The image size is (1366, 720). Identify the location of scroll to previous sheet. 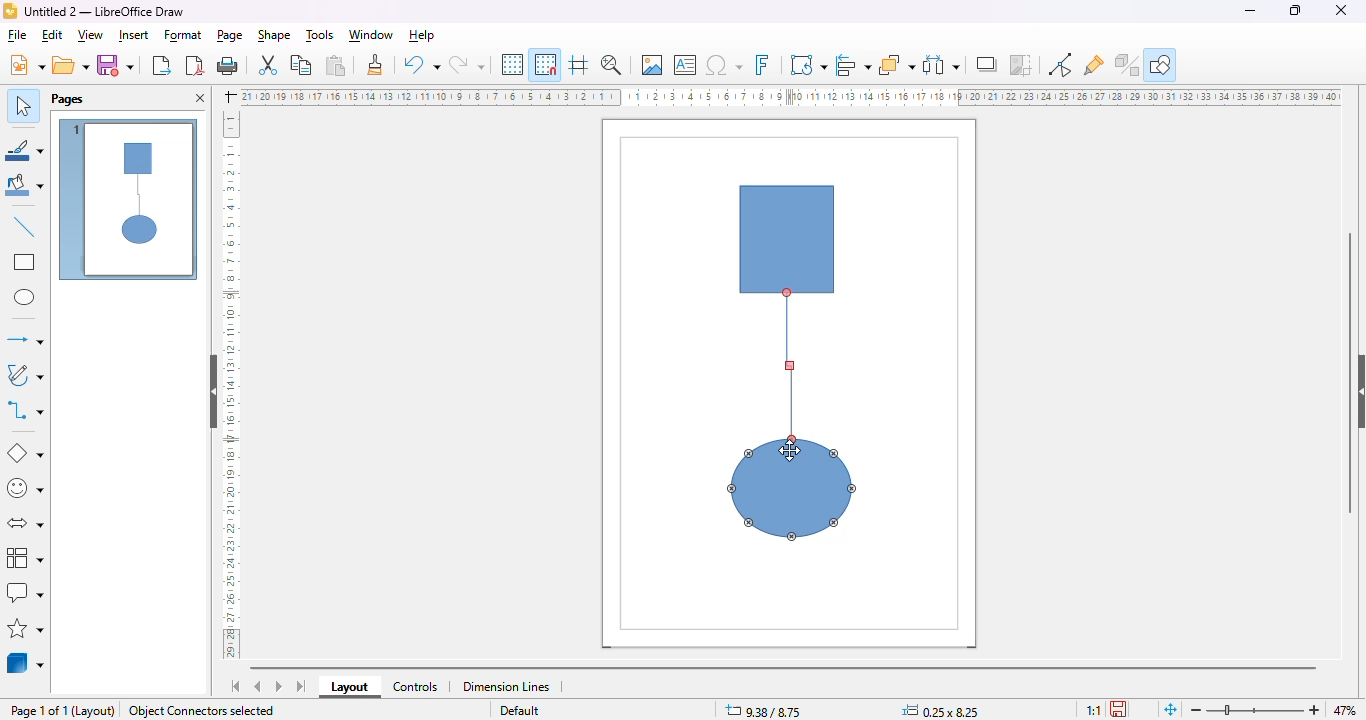
(258, 686).